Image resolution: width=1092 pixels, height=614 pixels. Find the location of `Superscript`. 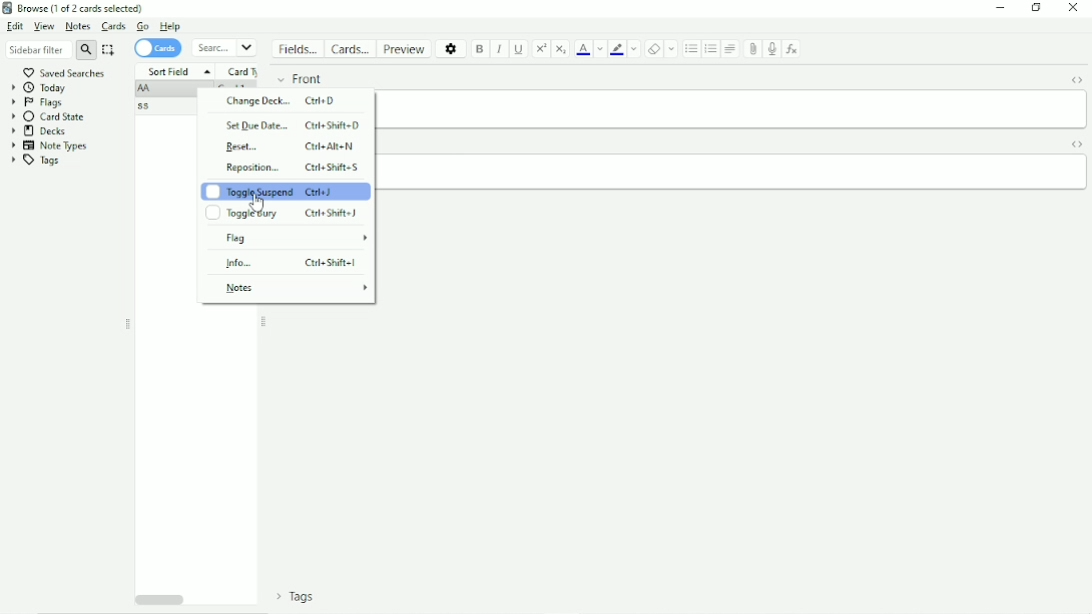

Superscript is located at coordinates (541, 49).